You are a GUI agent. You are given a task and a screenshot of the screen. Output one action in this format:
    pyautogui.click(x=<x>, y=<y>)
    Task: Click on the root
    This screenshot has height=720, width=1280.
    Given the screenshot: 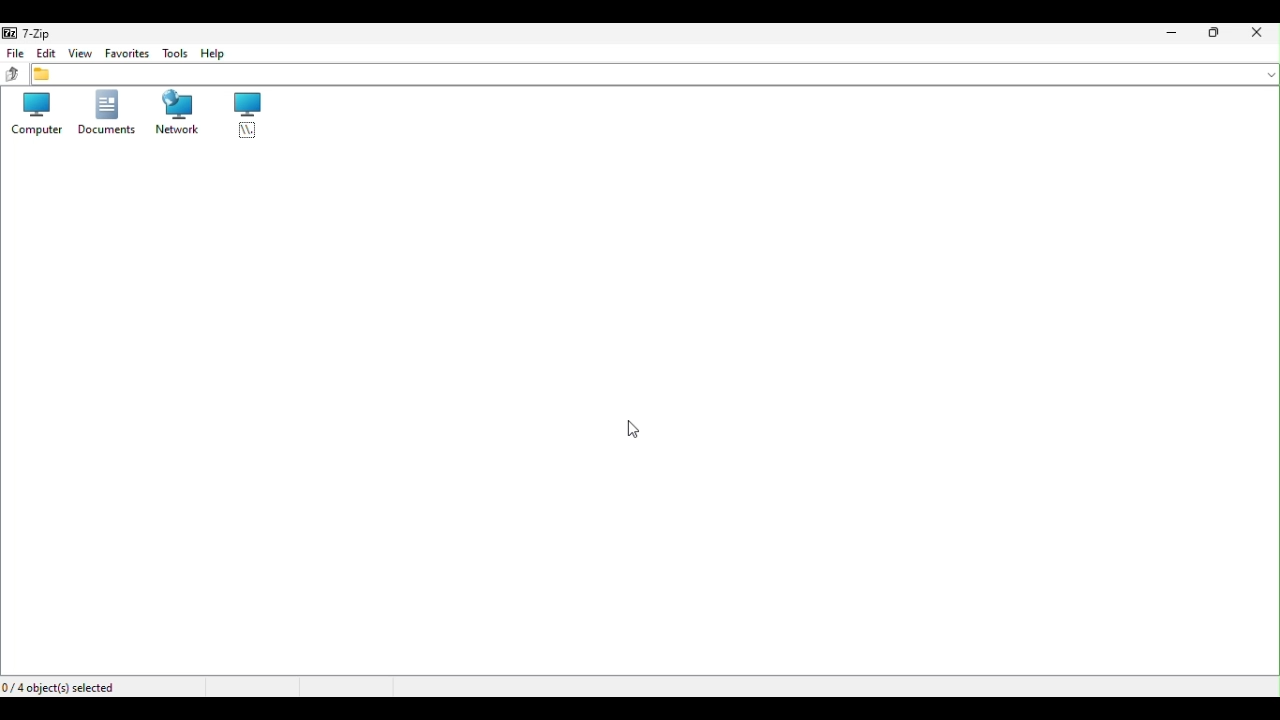 What is the action you would take?
    pyautogui.click(x=246, y=116)
    